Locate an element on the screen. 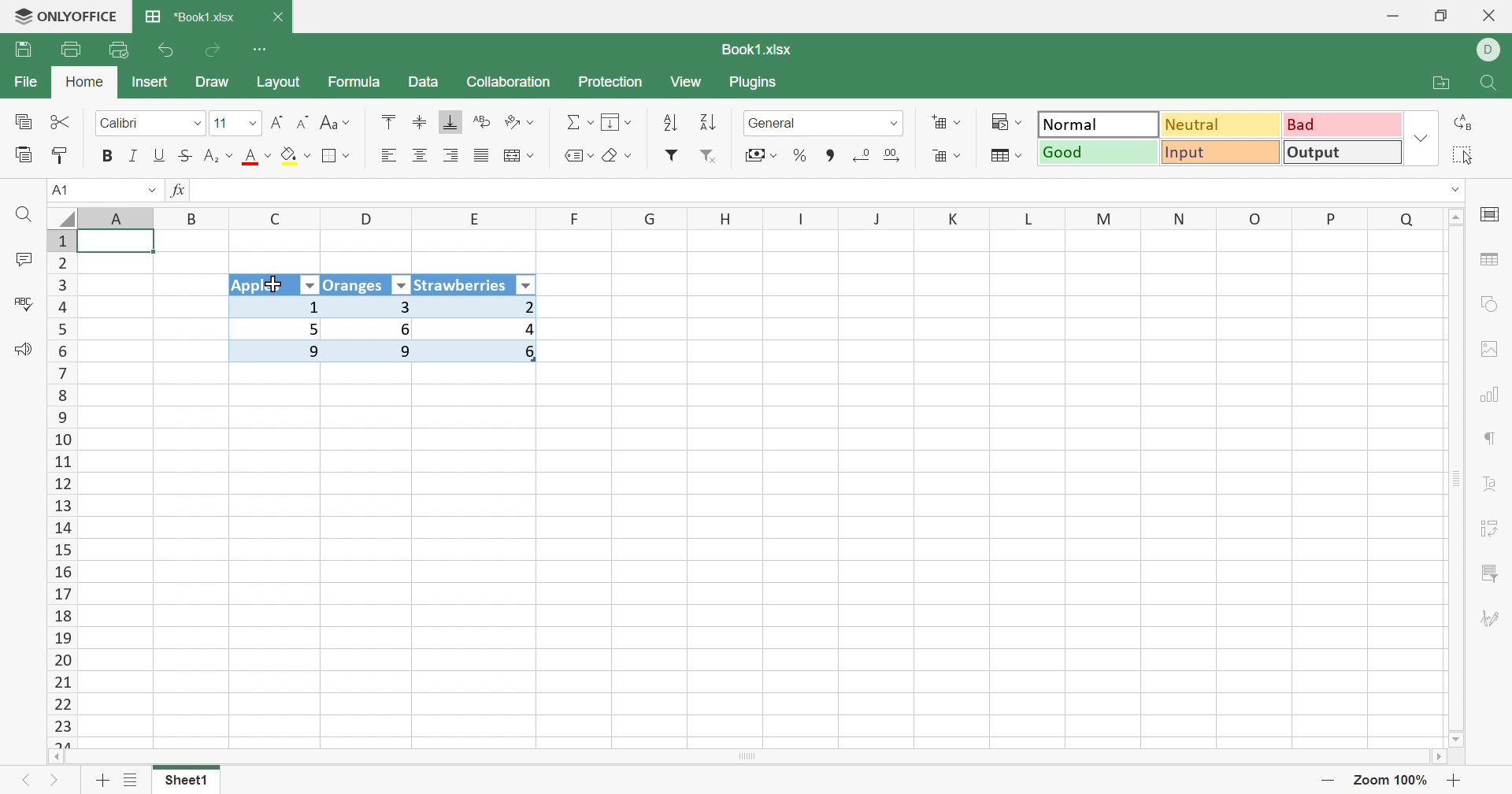  Insert is located at coordinates (150, 81).